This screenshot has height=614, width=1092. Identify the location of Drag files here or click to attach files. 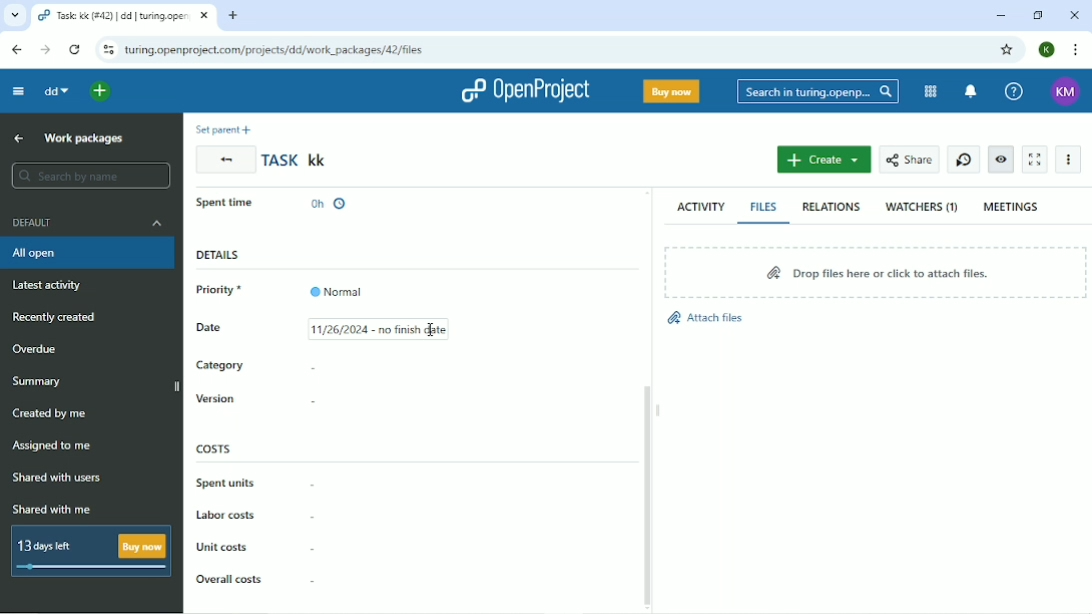
(875, 272).